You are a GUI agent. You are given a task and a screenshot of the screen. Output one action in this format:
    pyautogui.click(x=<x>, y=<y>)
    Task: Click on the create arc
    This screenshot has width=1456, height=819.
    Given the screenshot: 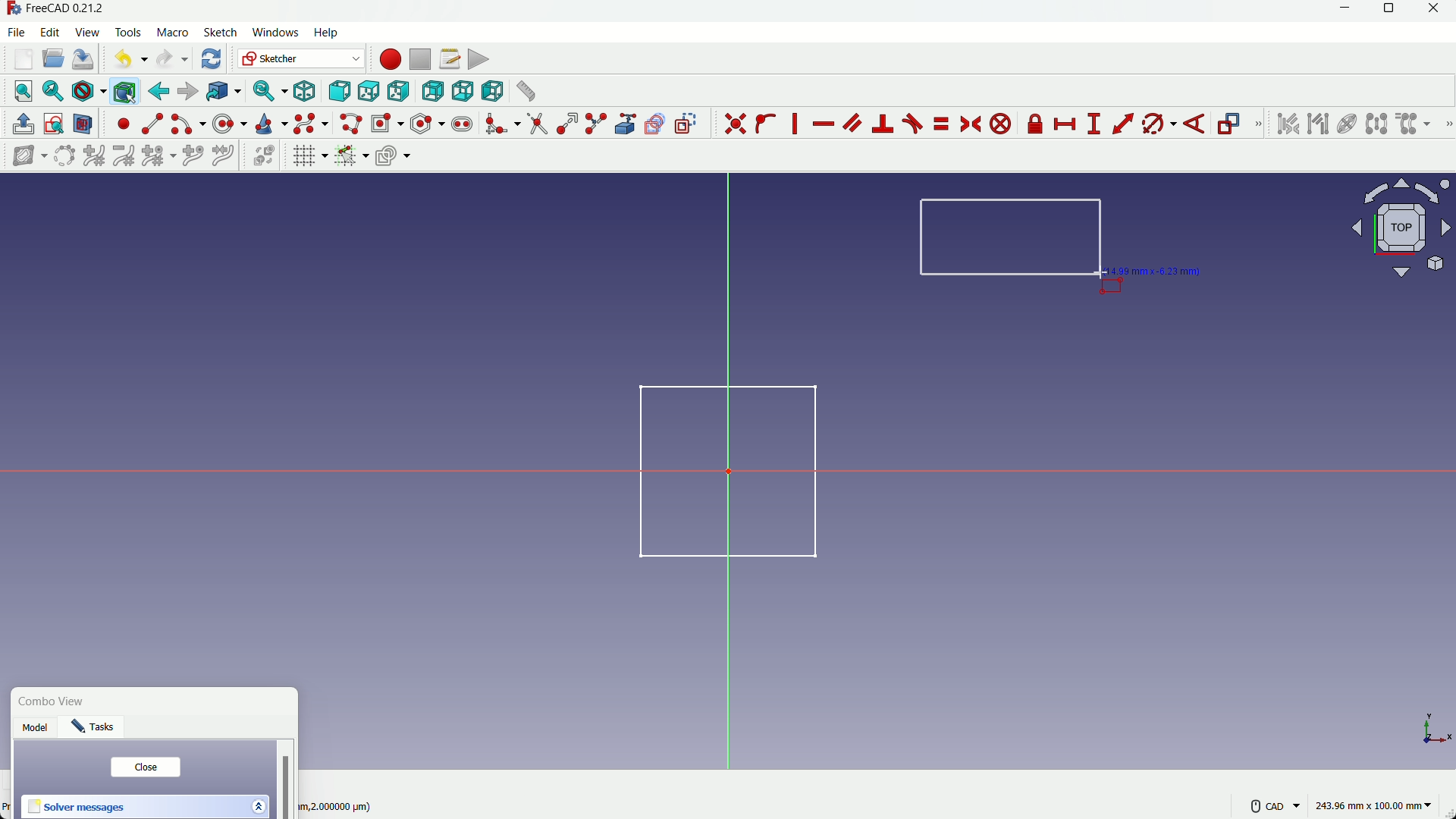 What is the action you would take?
    pyautogui.click(x=188, y=124)
    